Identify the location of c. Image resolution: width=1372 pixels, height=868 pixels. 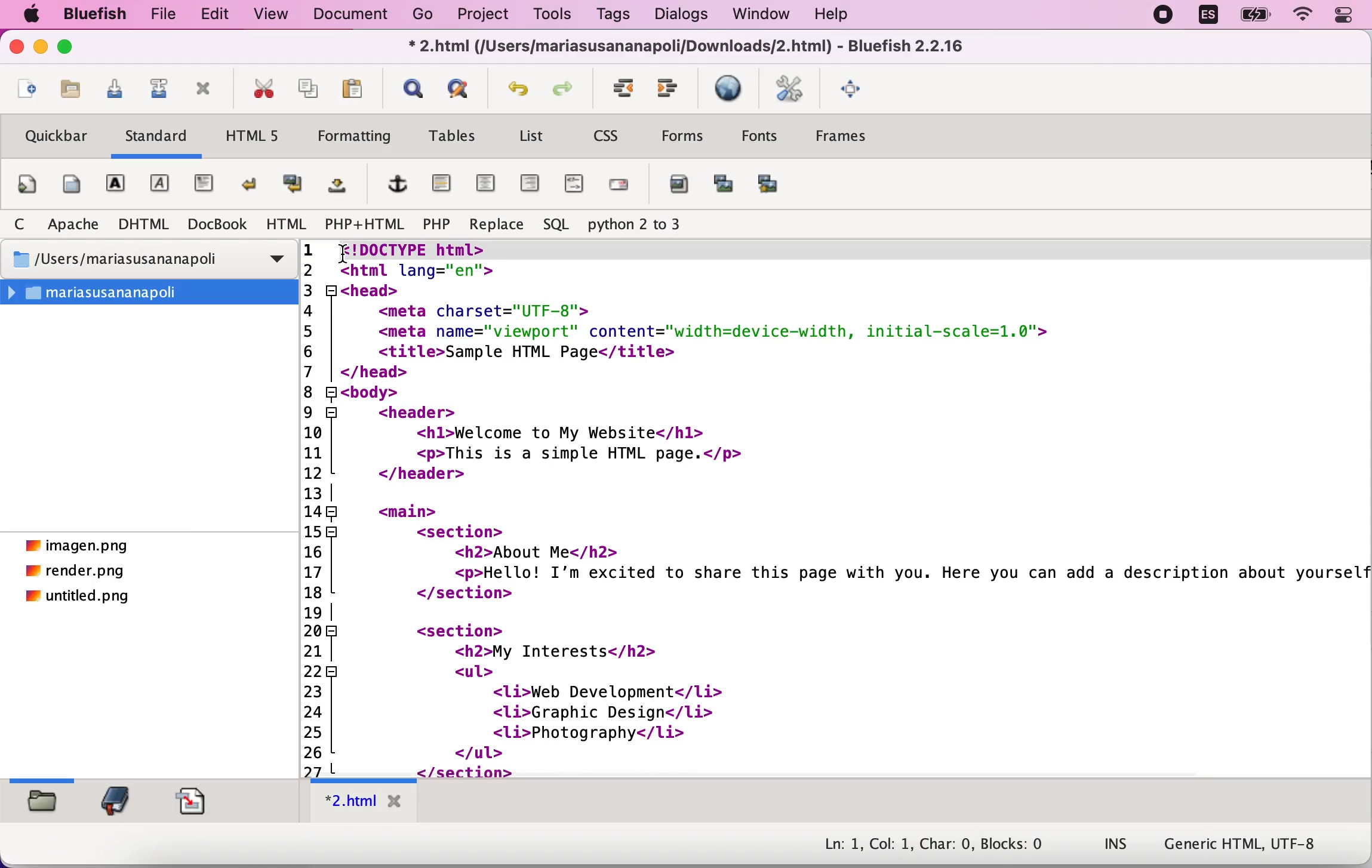
(20, 224).